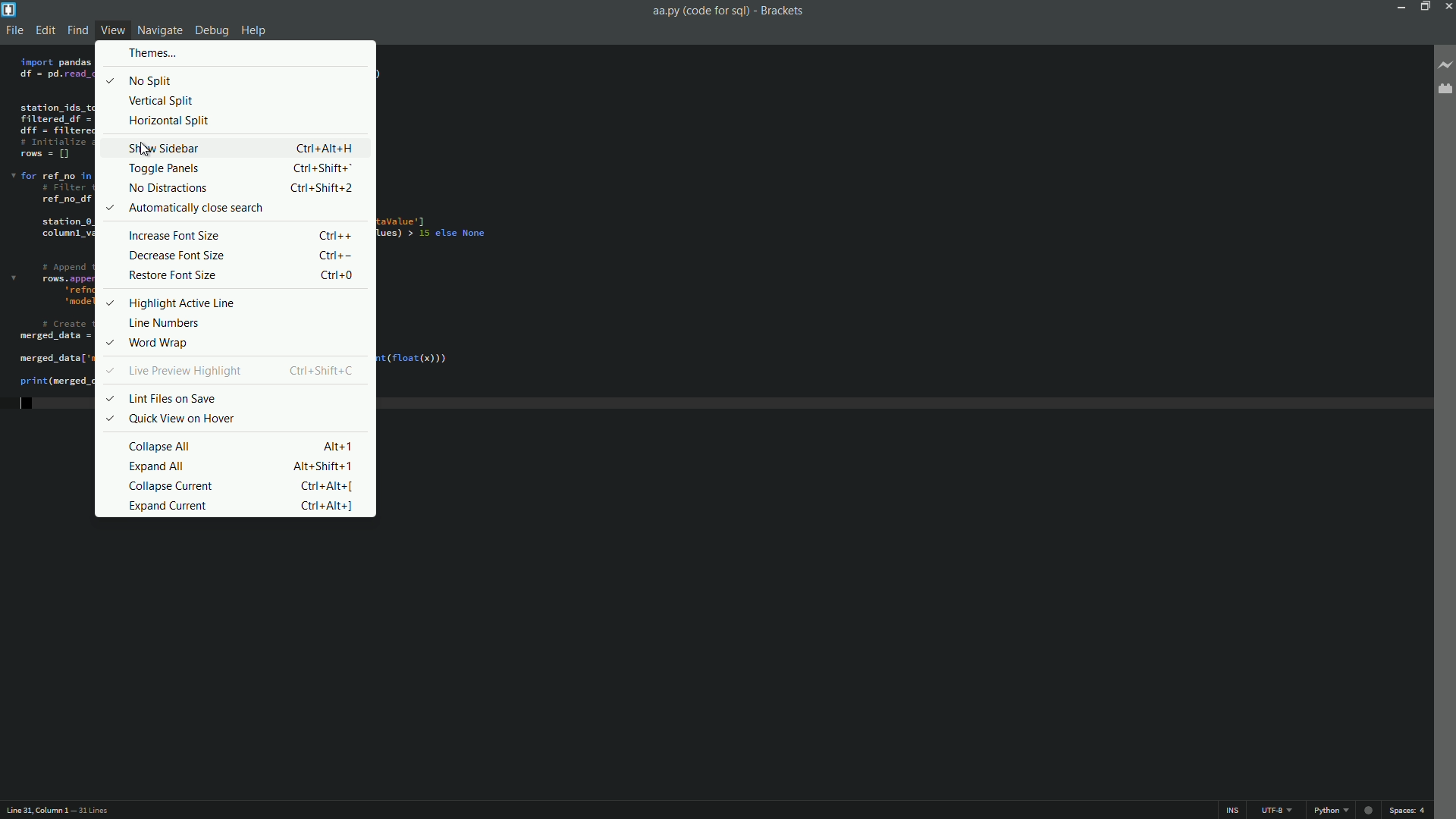 This screenshot has width=1456, height=819. I want to click on quick view on hover, so click(169, 419).